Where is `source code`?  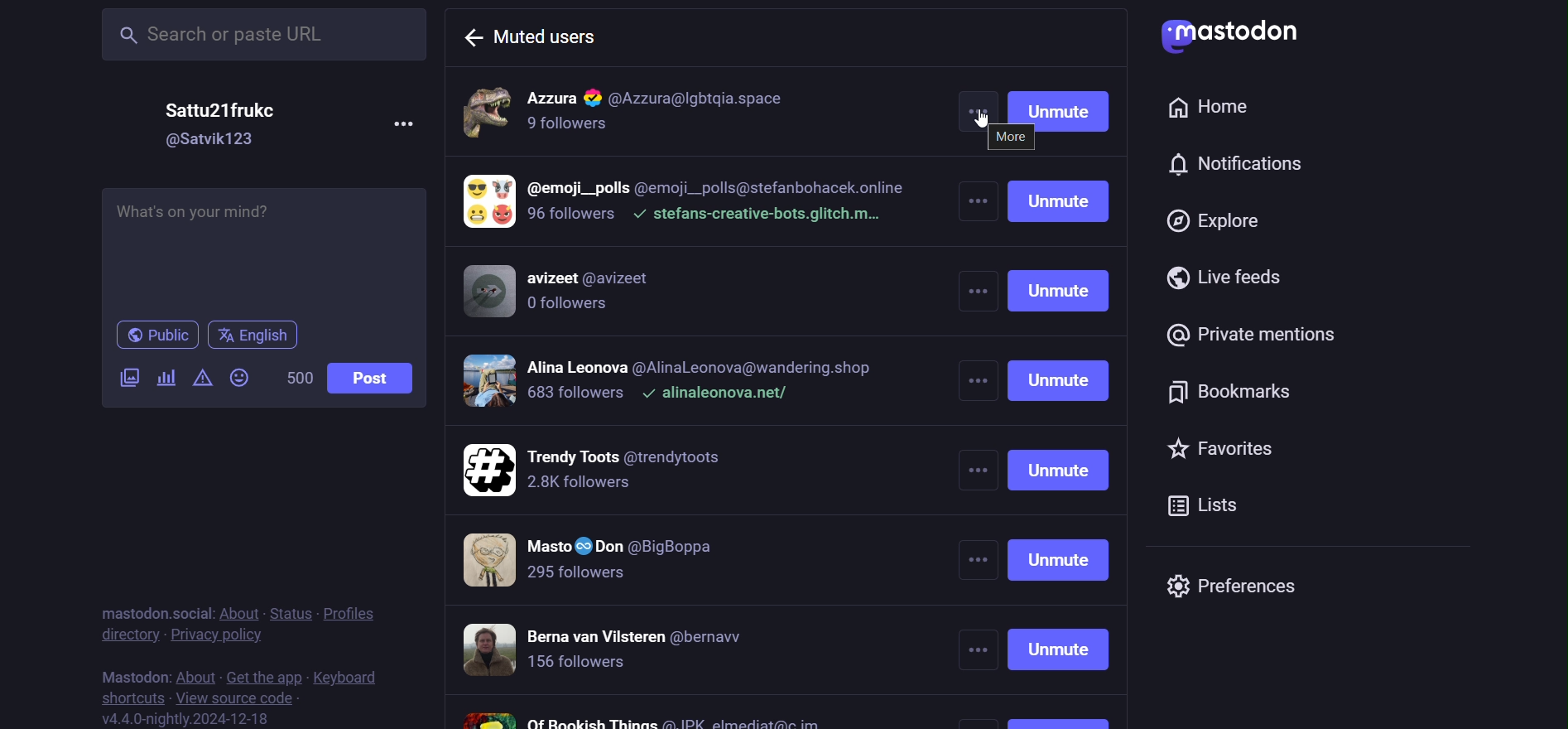 source code is located at coordinates (243, 698).